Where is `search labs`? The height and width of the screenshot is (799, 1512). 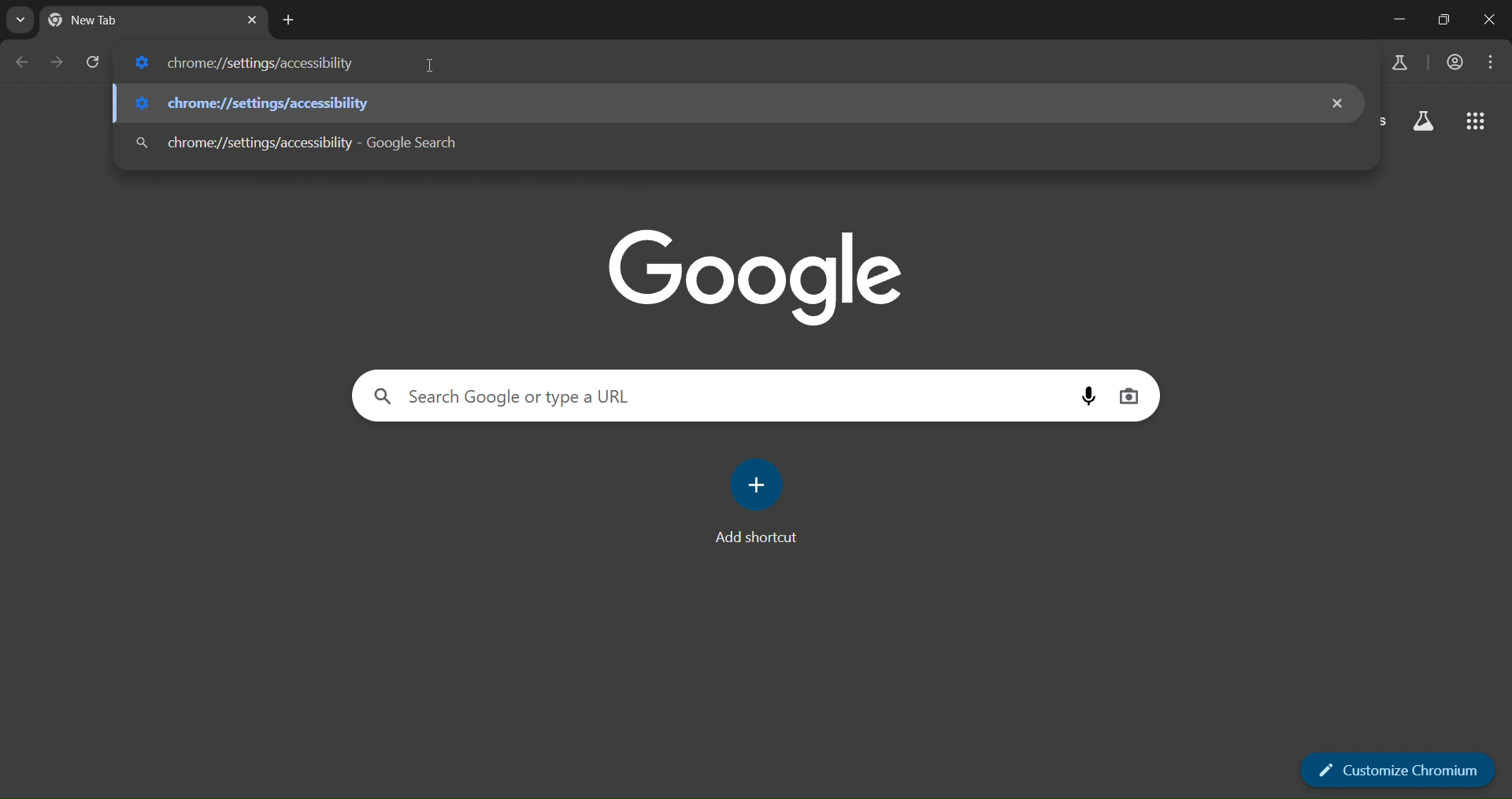 search labs is located at coordinates (1399, 65).